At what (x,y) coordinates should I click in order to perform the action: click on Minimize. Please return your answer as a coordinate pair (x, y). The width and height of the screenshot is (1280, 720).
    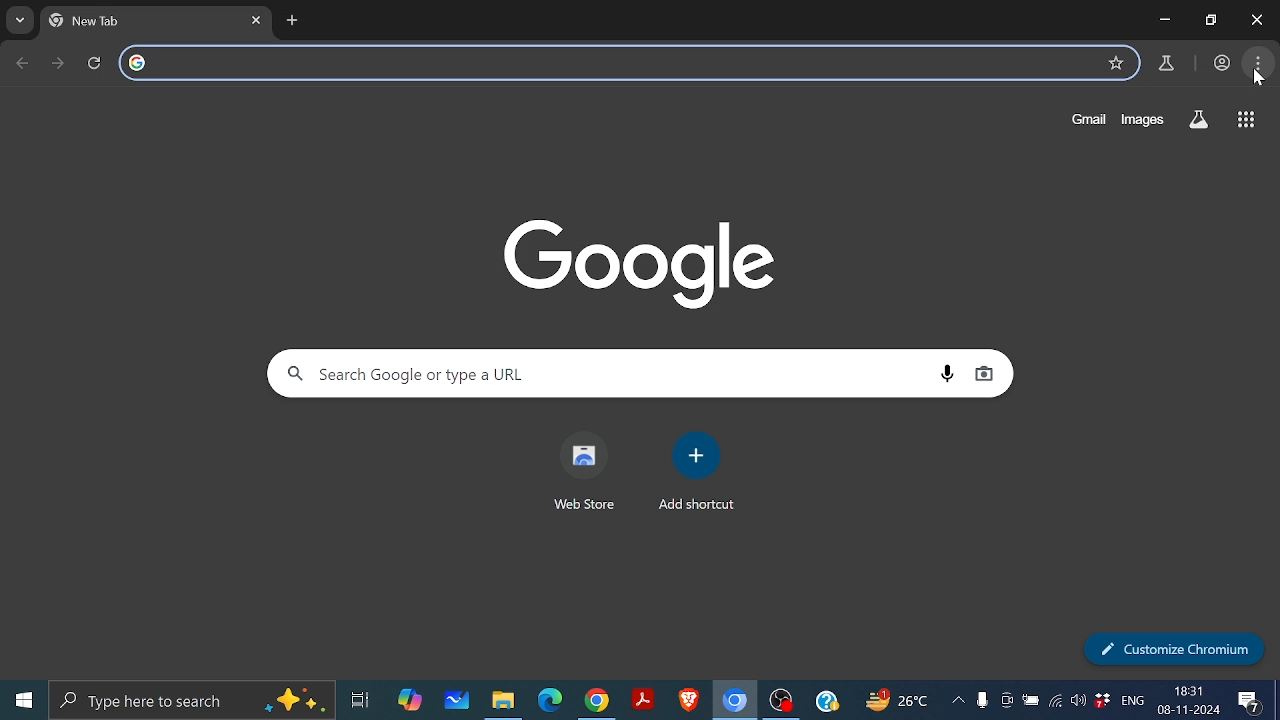
    Looking at the image, I should click on (1164, 21).